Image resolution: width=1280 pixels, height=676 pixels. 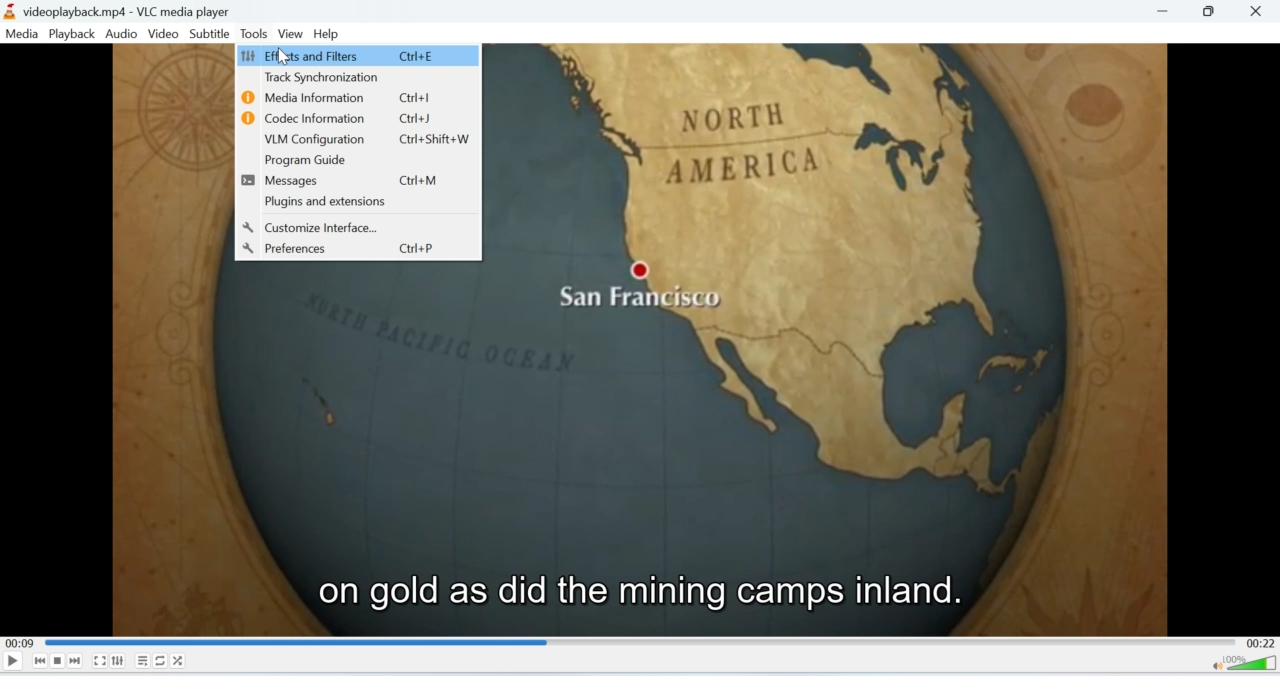 What do you see at coordinates (1211, 12) in the screenshot?
I see `Minimise` at bounding box center [1211, 12].